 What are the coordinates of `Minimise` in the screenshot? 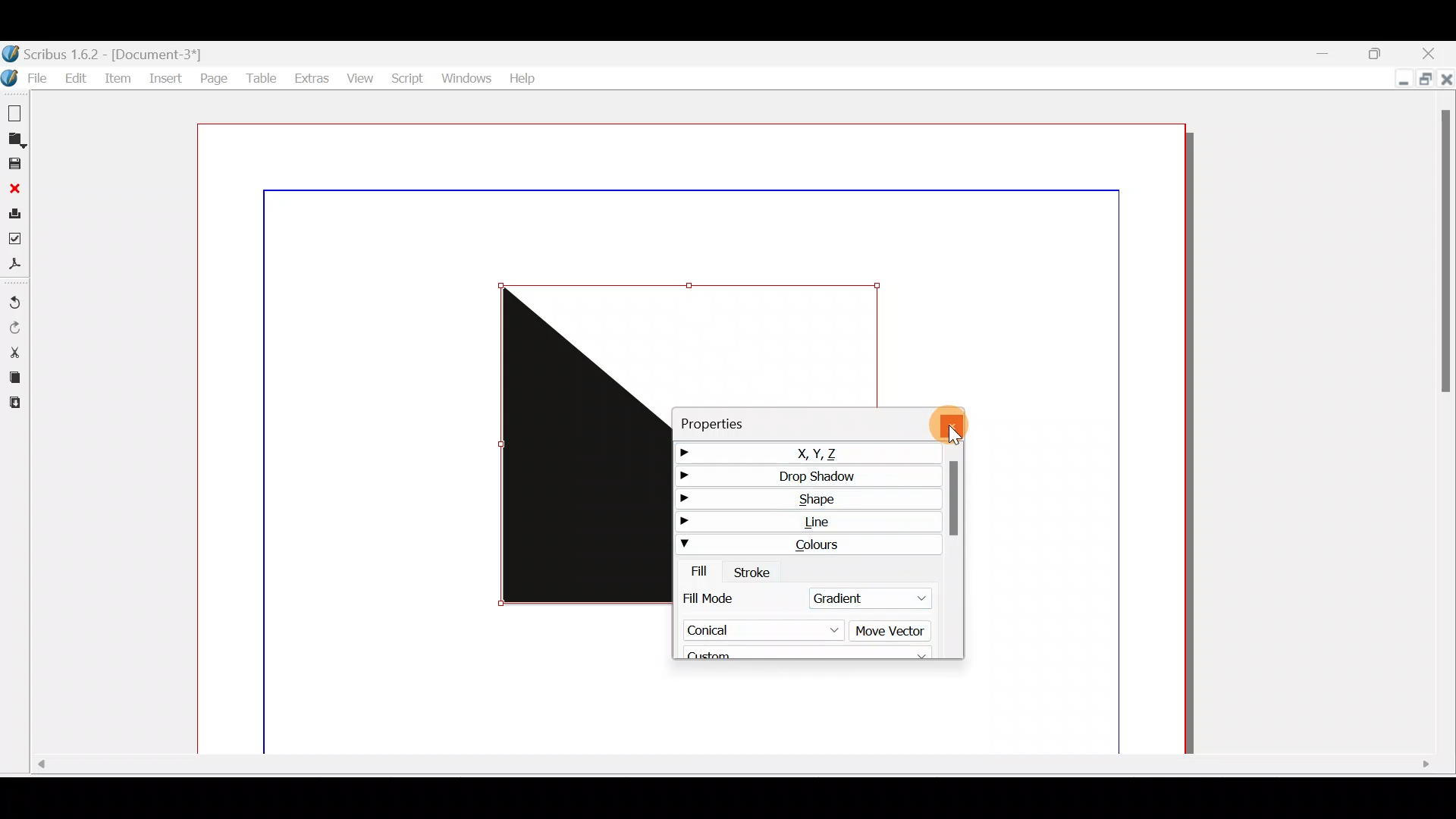 It's located at (1395, 79).